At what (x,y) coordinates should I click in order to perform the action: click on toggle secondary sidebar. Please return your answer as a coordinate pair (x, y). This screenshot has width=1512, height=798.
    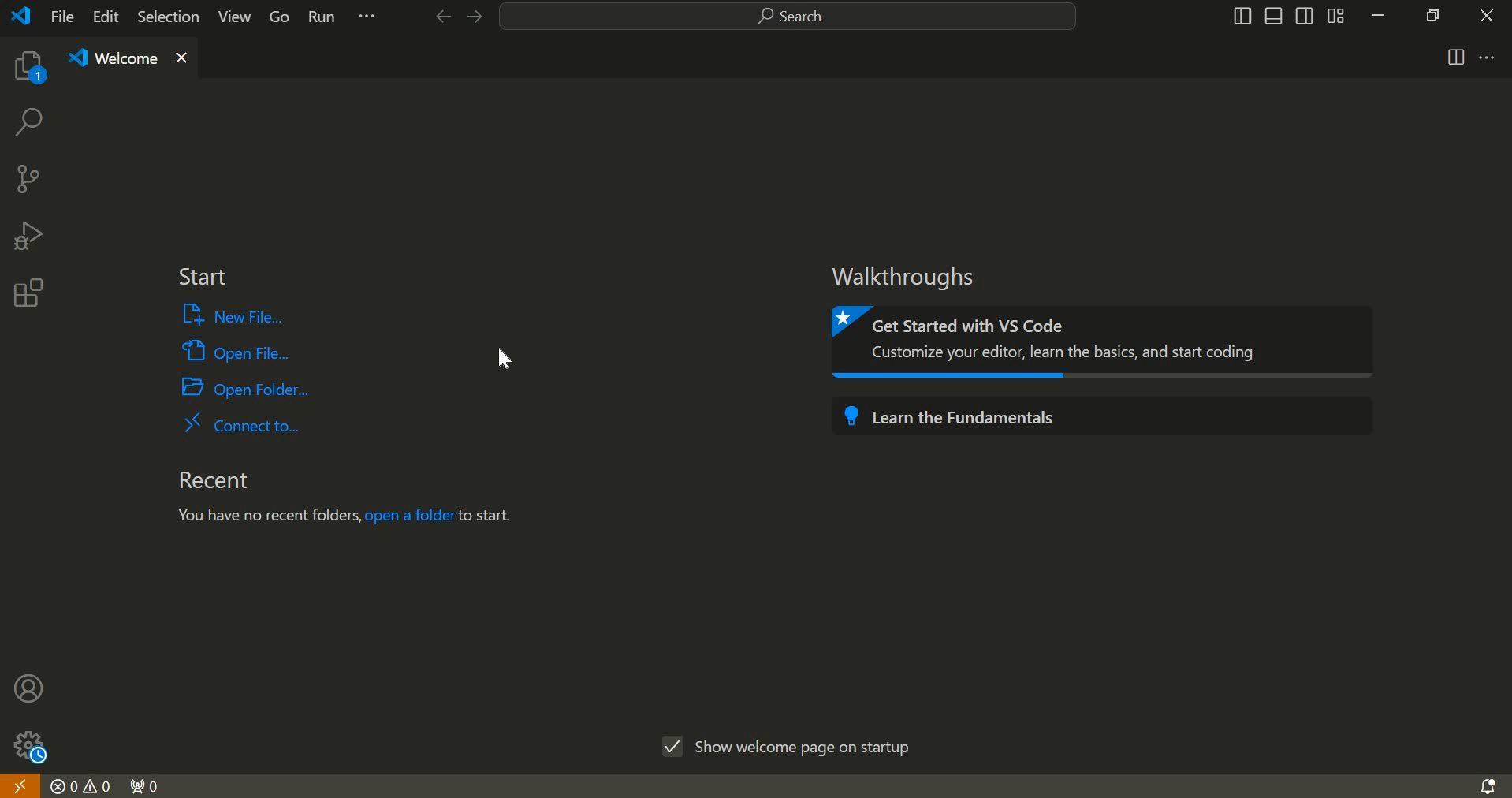
    Looking at the image, I should click on (1305, 14).